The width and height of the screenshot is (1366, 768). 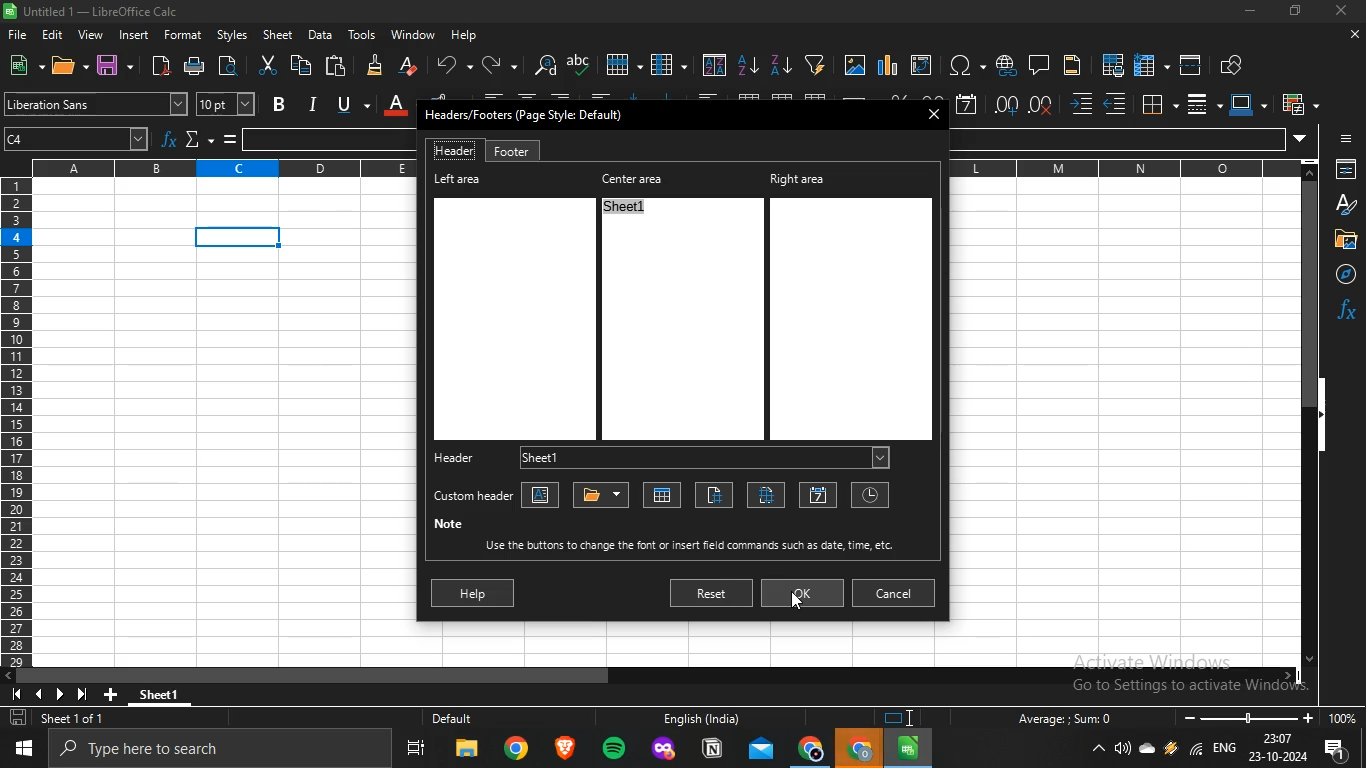 I want to click on wifi, so click(x=1196, y=753).